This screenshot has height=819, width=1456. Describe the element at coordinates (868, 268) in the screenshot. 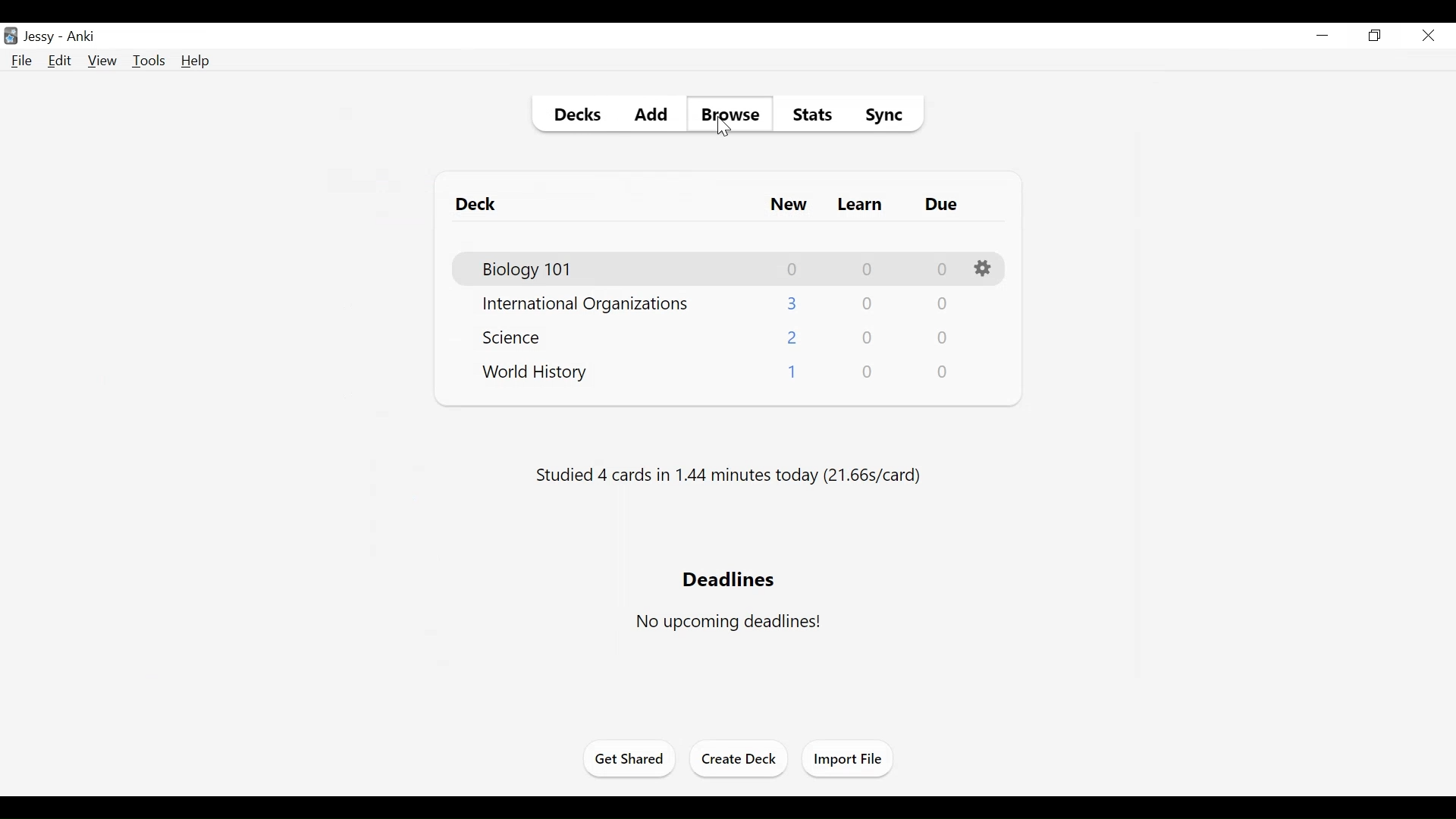

I see `Learn Card Count` at that location.